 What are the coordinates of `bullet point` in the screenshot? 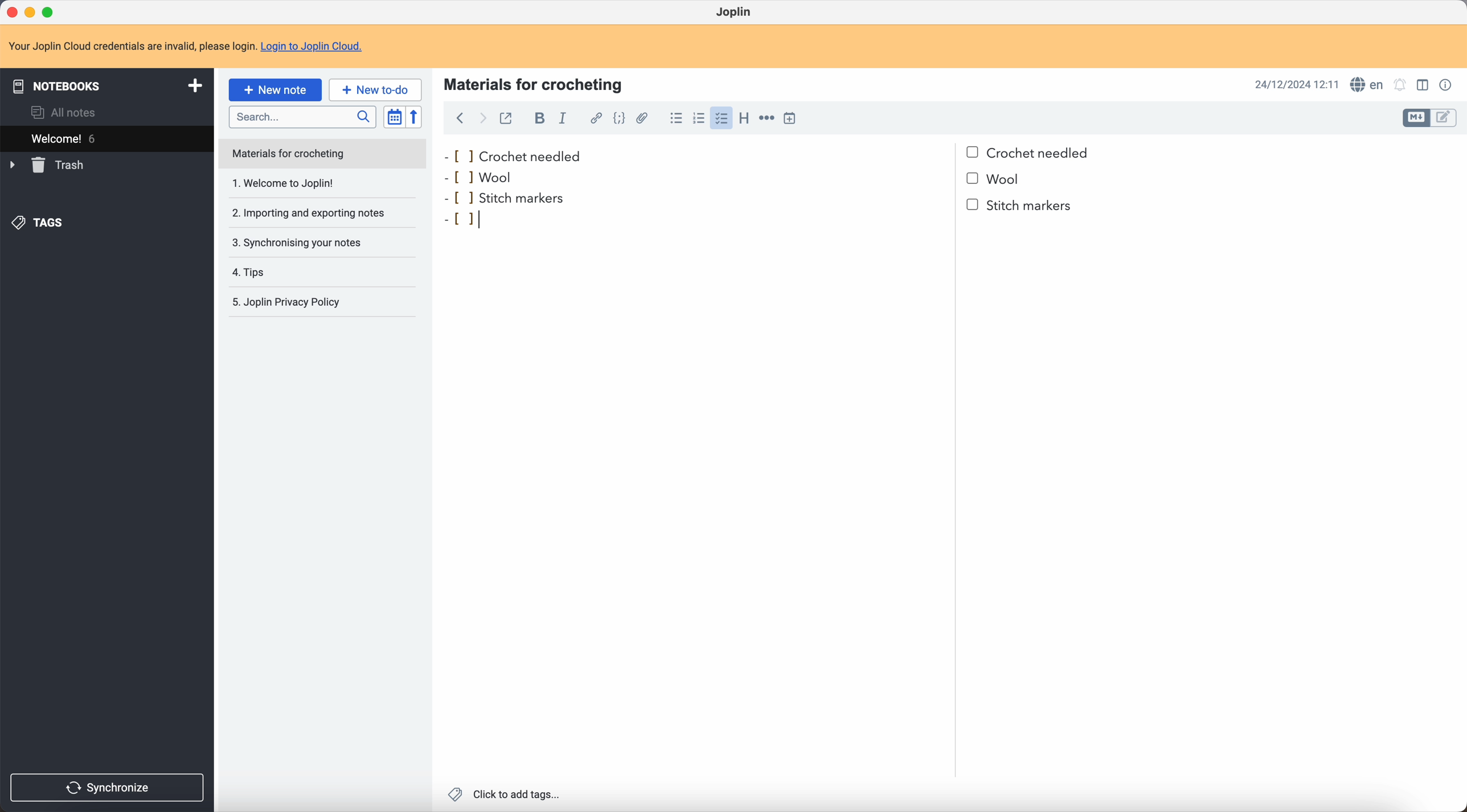 It's located at (453, 175).